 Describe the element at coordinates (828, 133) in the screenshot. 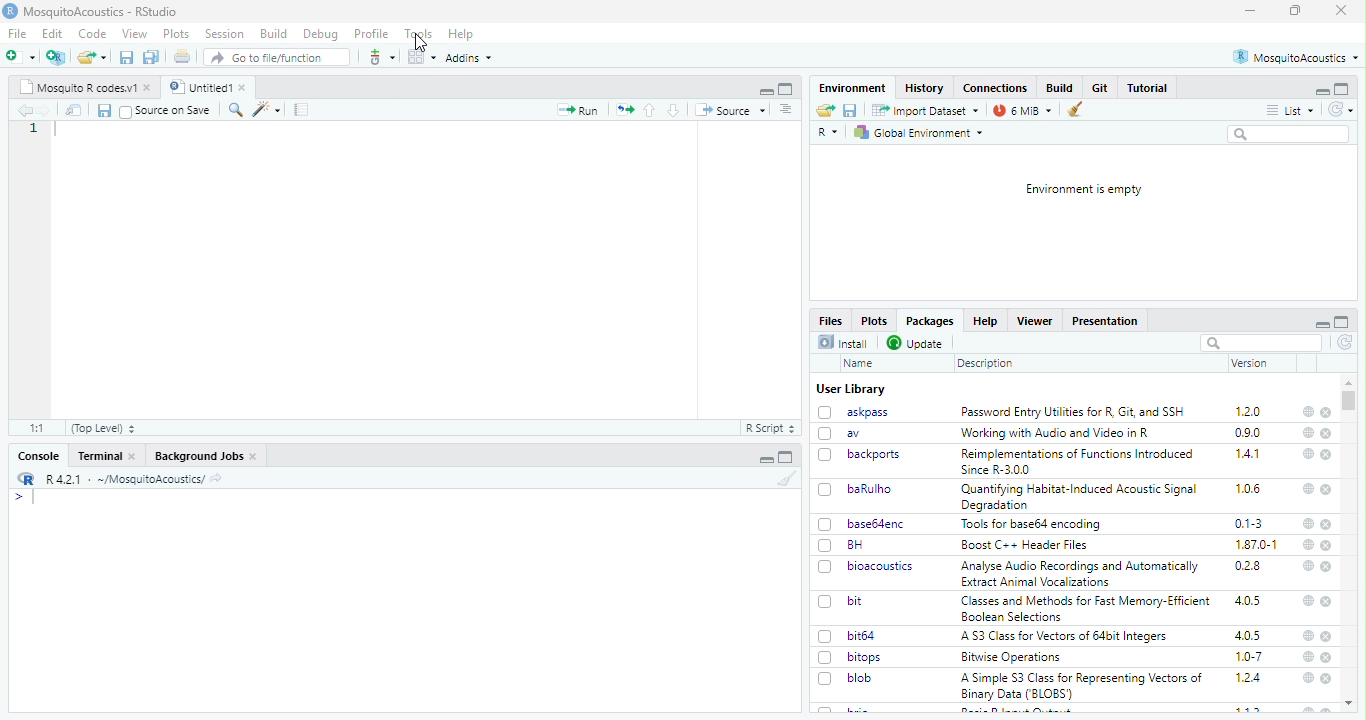

I see `R` at that location.